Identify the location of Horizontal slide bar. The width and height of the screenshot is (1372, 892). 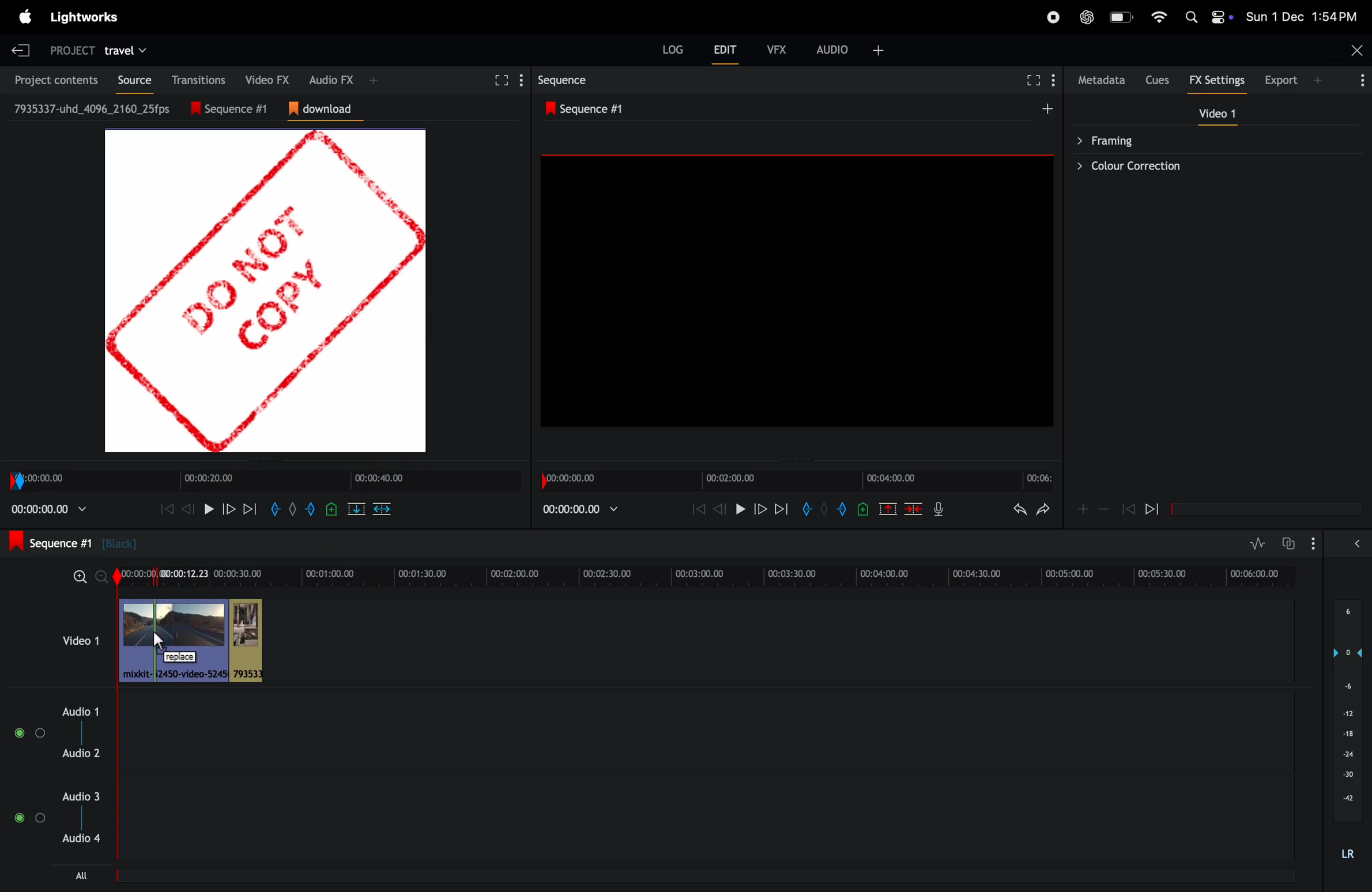
(702, 876).